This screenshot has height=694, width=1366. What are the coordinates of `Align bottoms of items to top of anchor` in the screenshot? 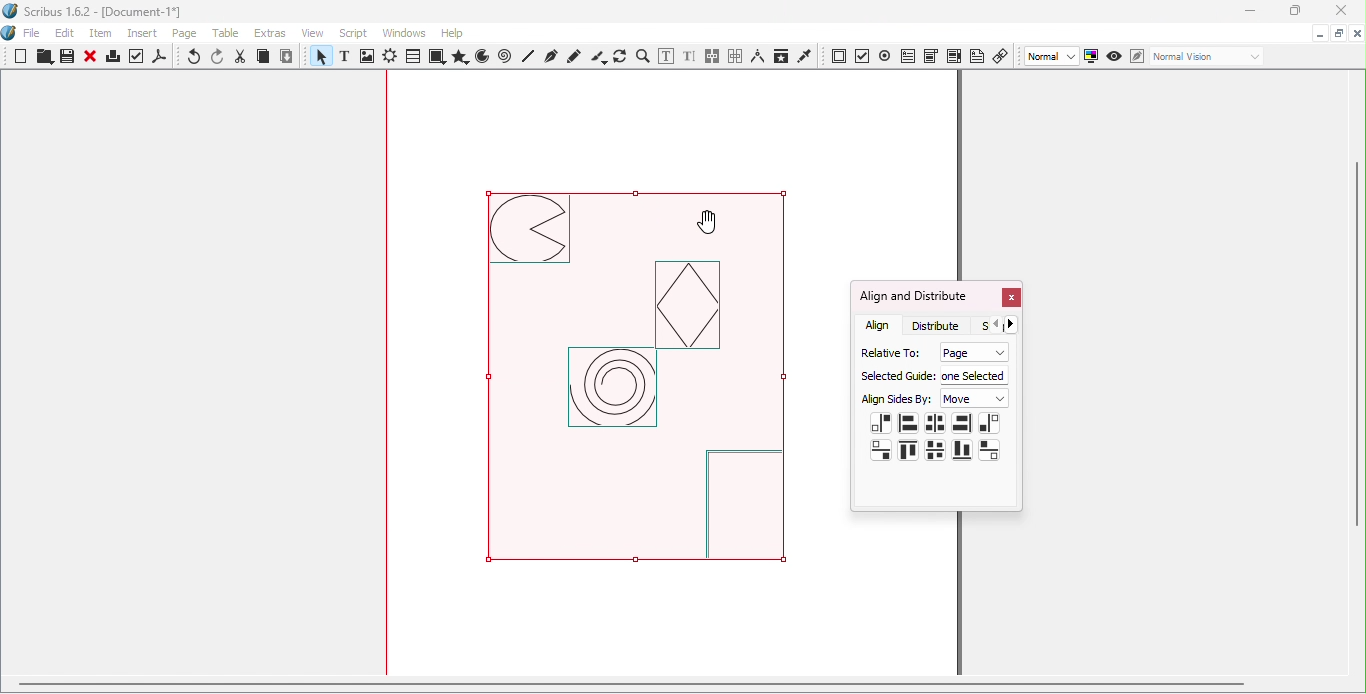 It's located at (882, 450).